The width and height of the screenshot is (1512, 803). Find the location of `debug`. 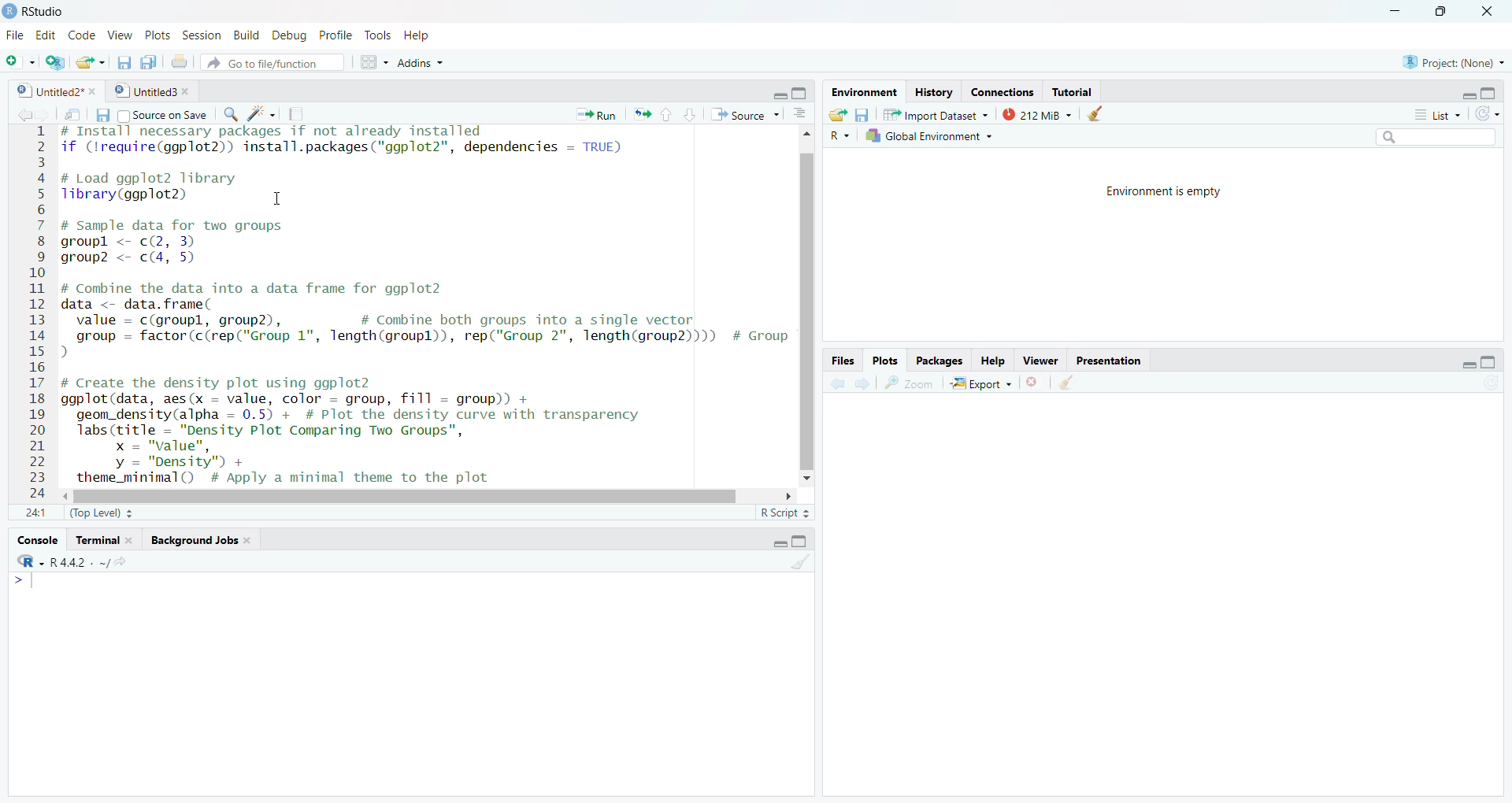

debug is located at coordinates (288, 35).